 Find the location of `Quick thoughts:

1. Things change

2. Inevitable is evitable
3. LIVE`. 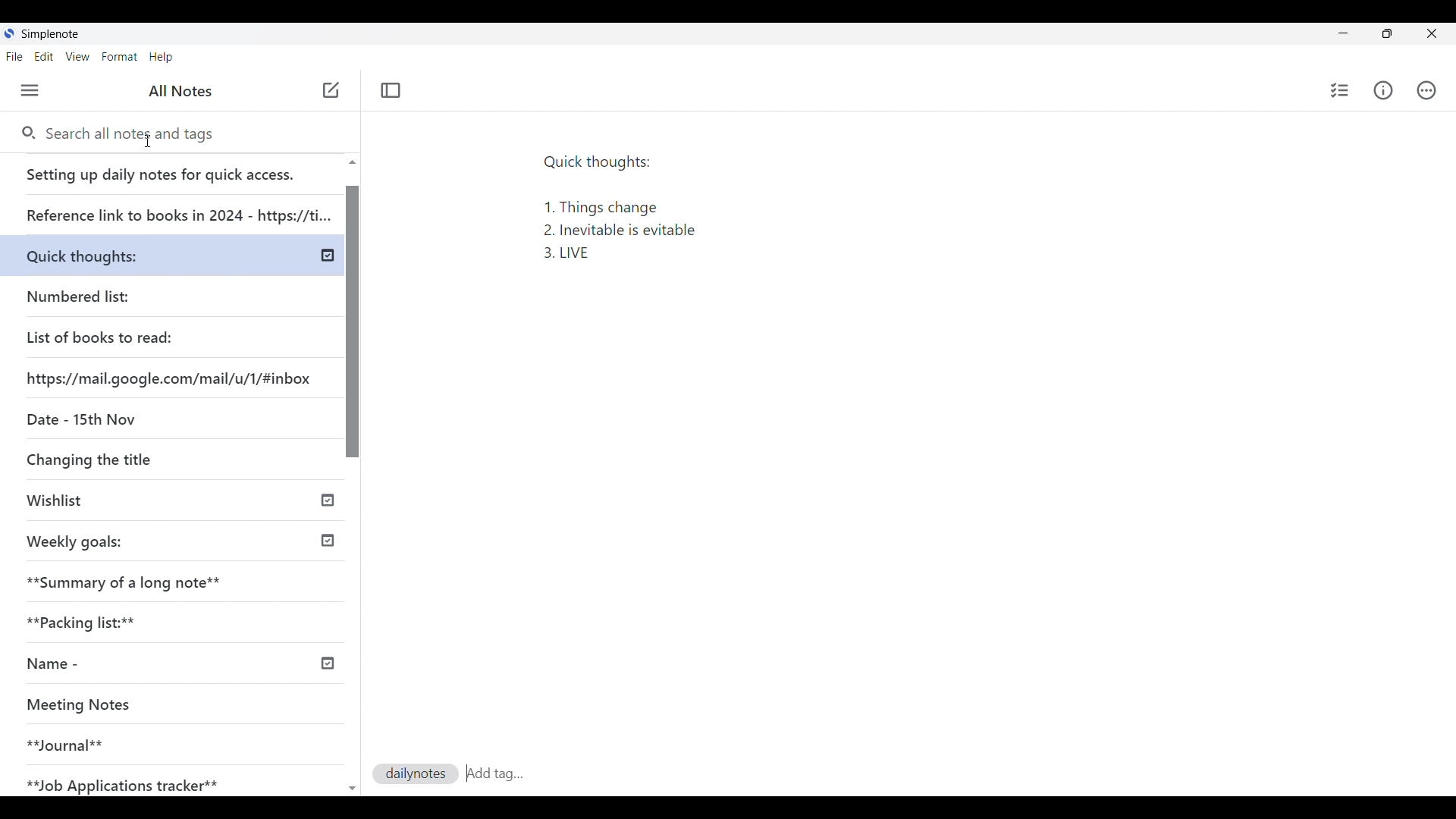

Quick thoughts:

1. Things change

2. Inevitable is evitable
3. LIVE is located at coordinates (629, 214).